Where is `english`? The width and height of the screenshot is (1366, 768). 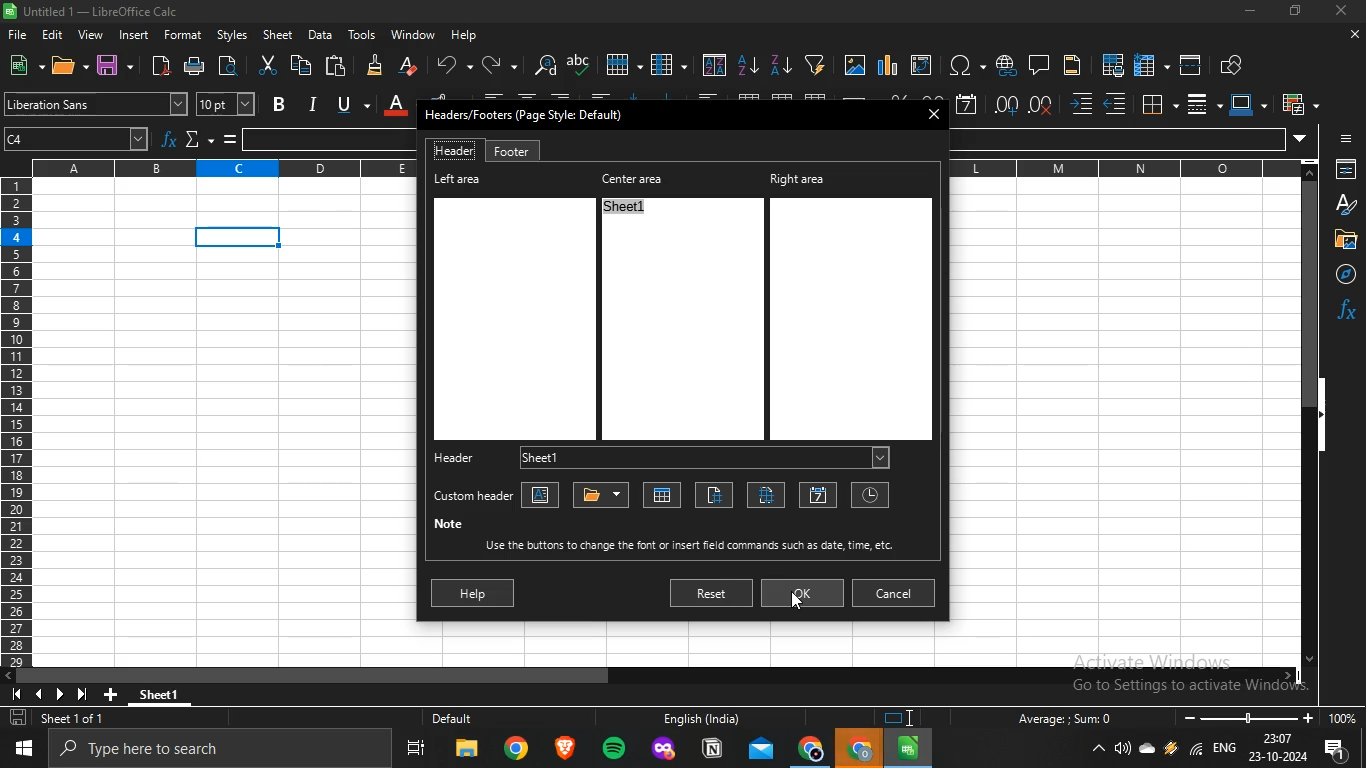 english is located at coordinates (1223, 750).